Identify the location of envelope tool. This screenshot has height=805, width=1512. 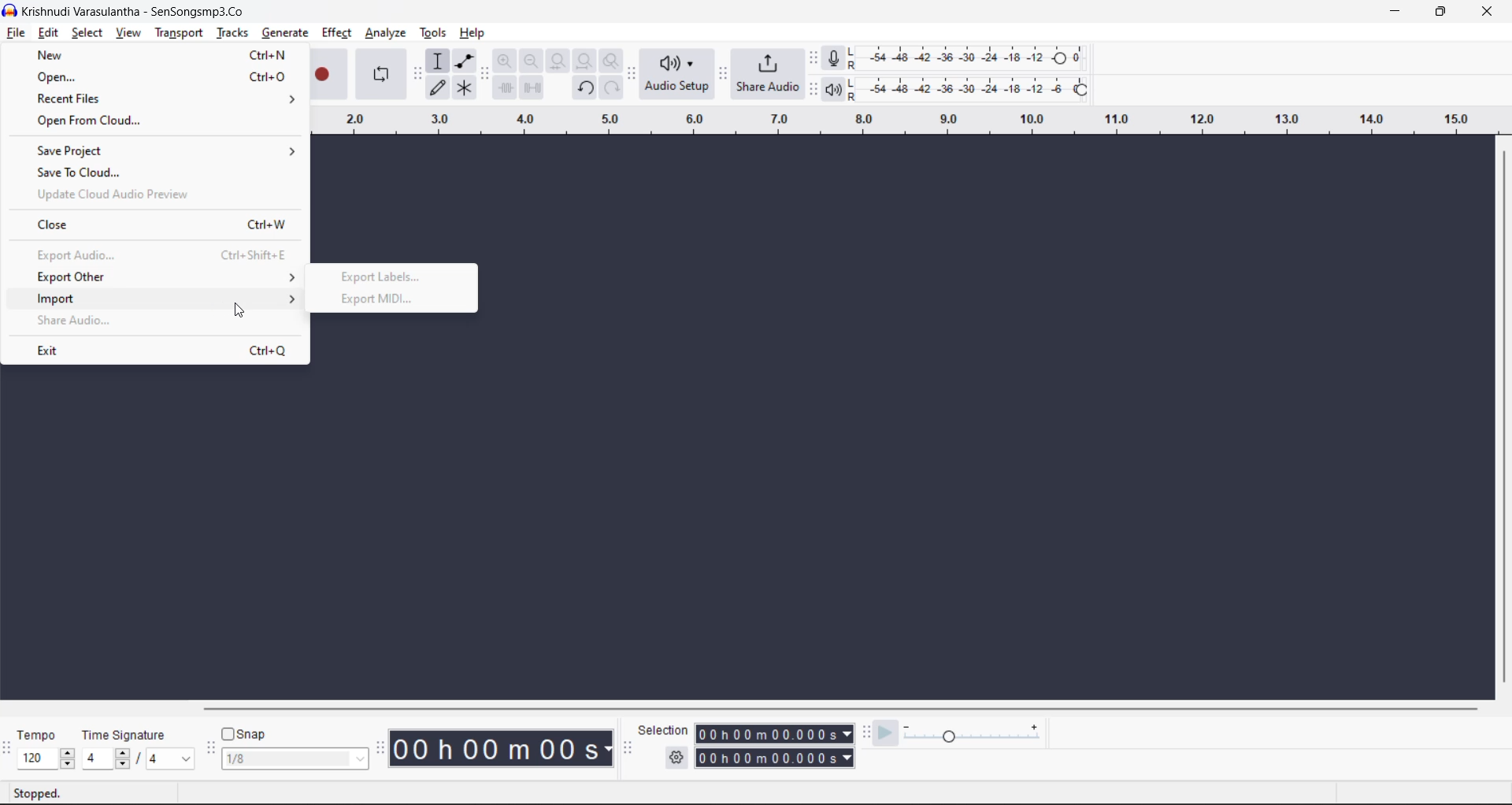
(468, 61).